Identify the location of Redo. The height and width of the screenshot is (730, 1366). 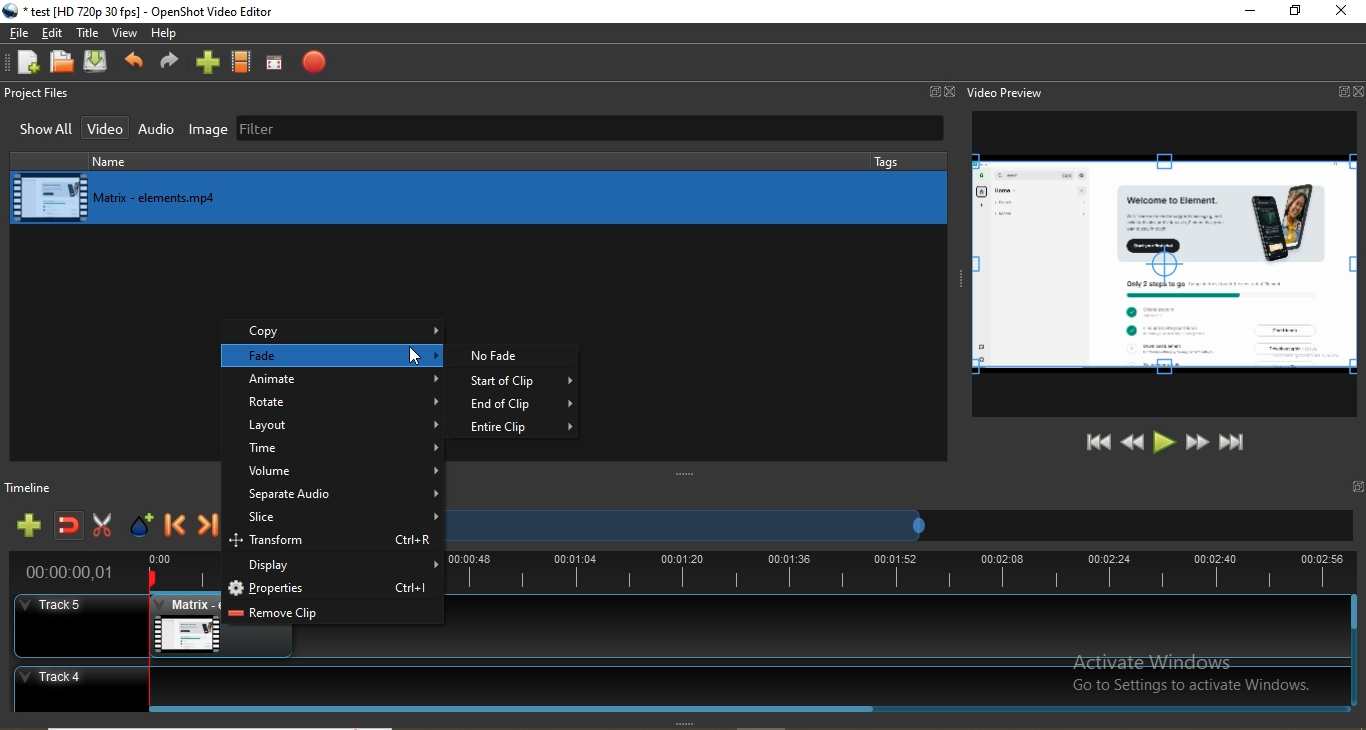
(169, 65).